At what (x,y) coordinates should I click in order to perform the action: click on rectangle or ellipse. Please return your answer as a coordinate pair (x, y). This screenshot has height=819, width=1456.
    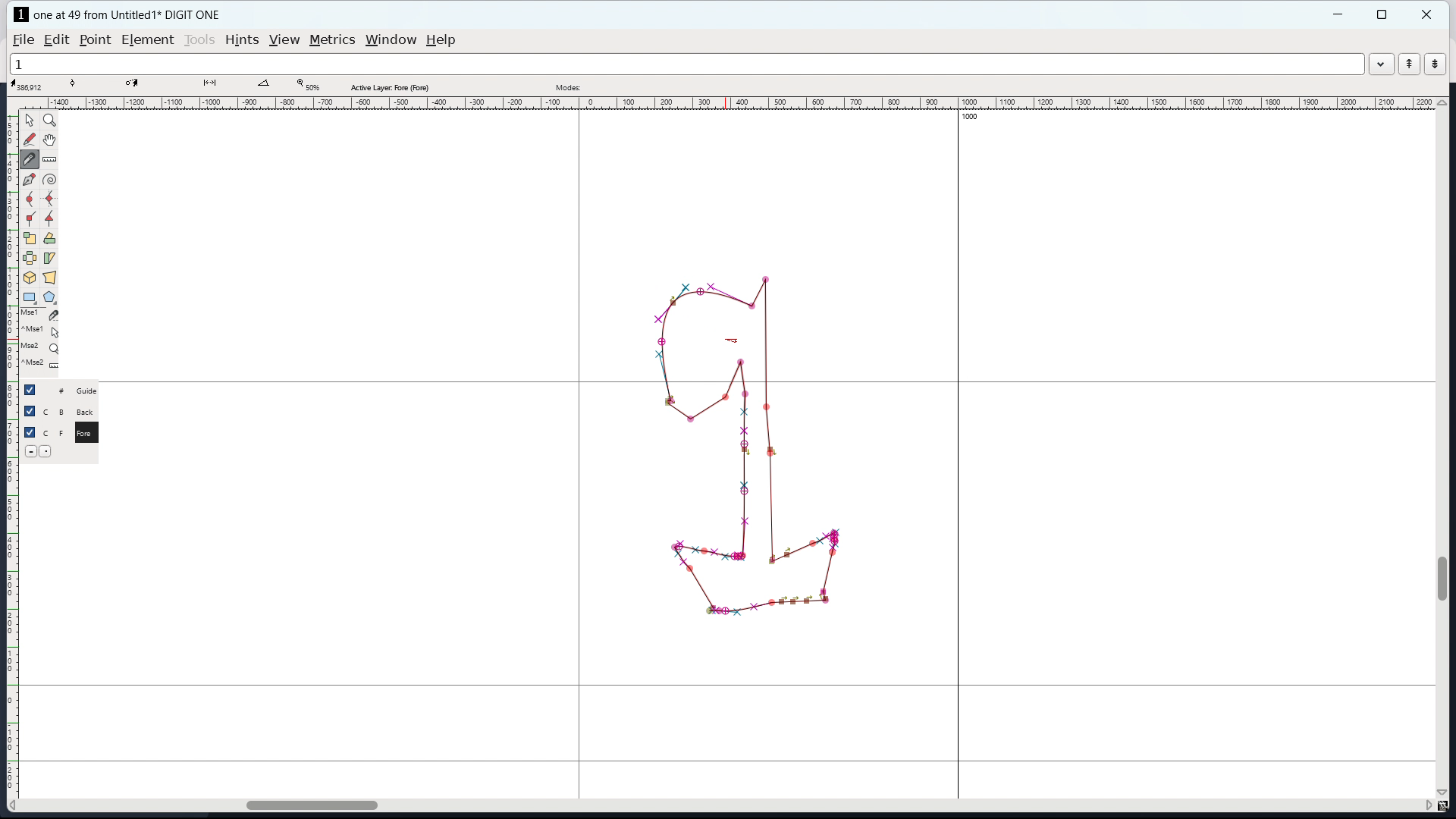
    Looking at the image, I should click on (30, 297).